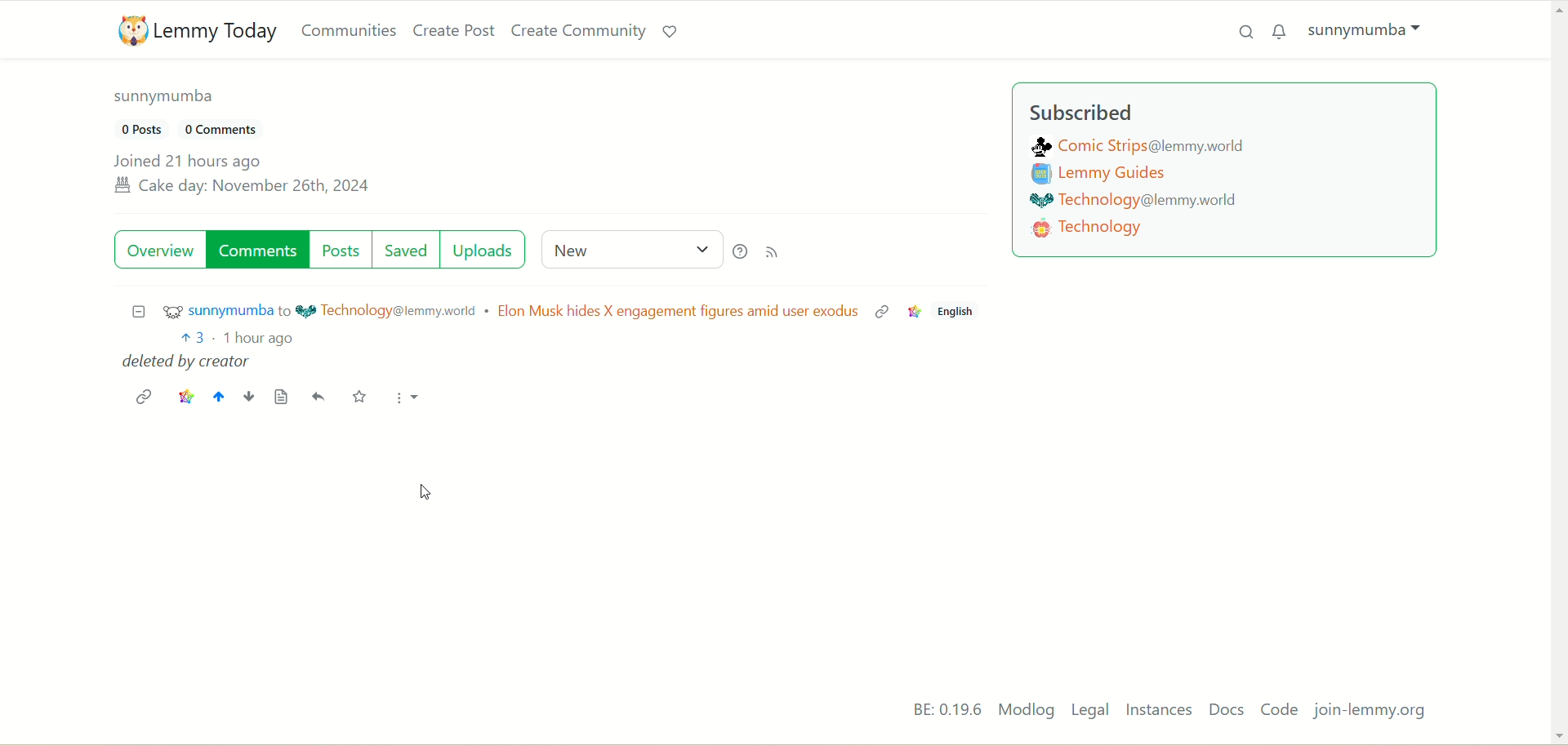 This screenshot has width=1568, height=746. I want to click on saved, so click(408, 248).